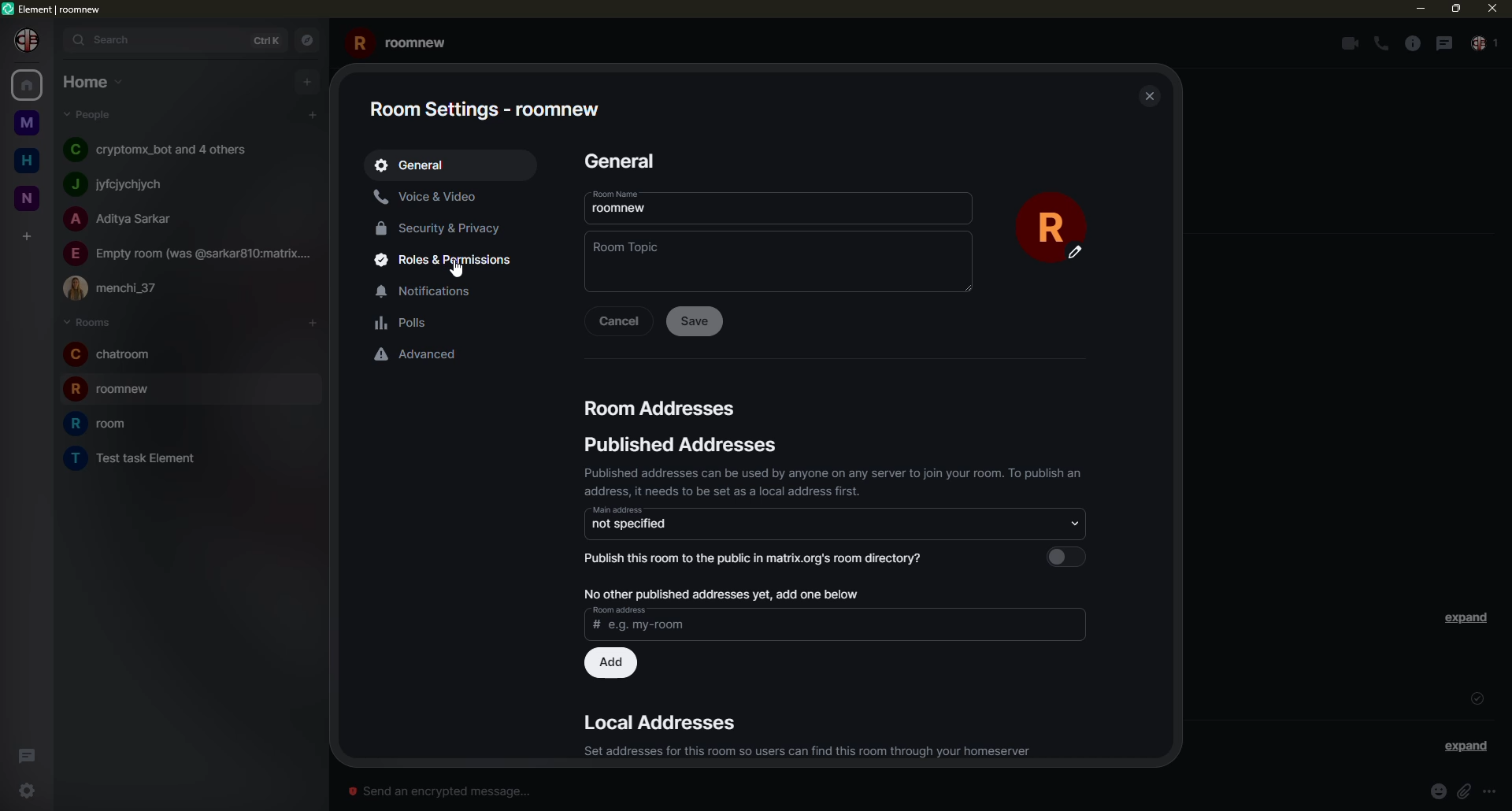  What do you see at coordinates (1466, 746) in the screenshot?
I see `expand` at bounding box center [1466, 746].